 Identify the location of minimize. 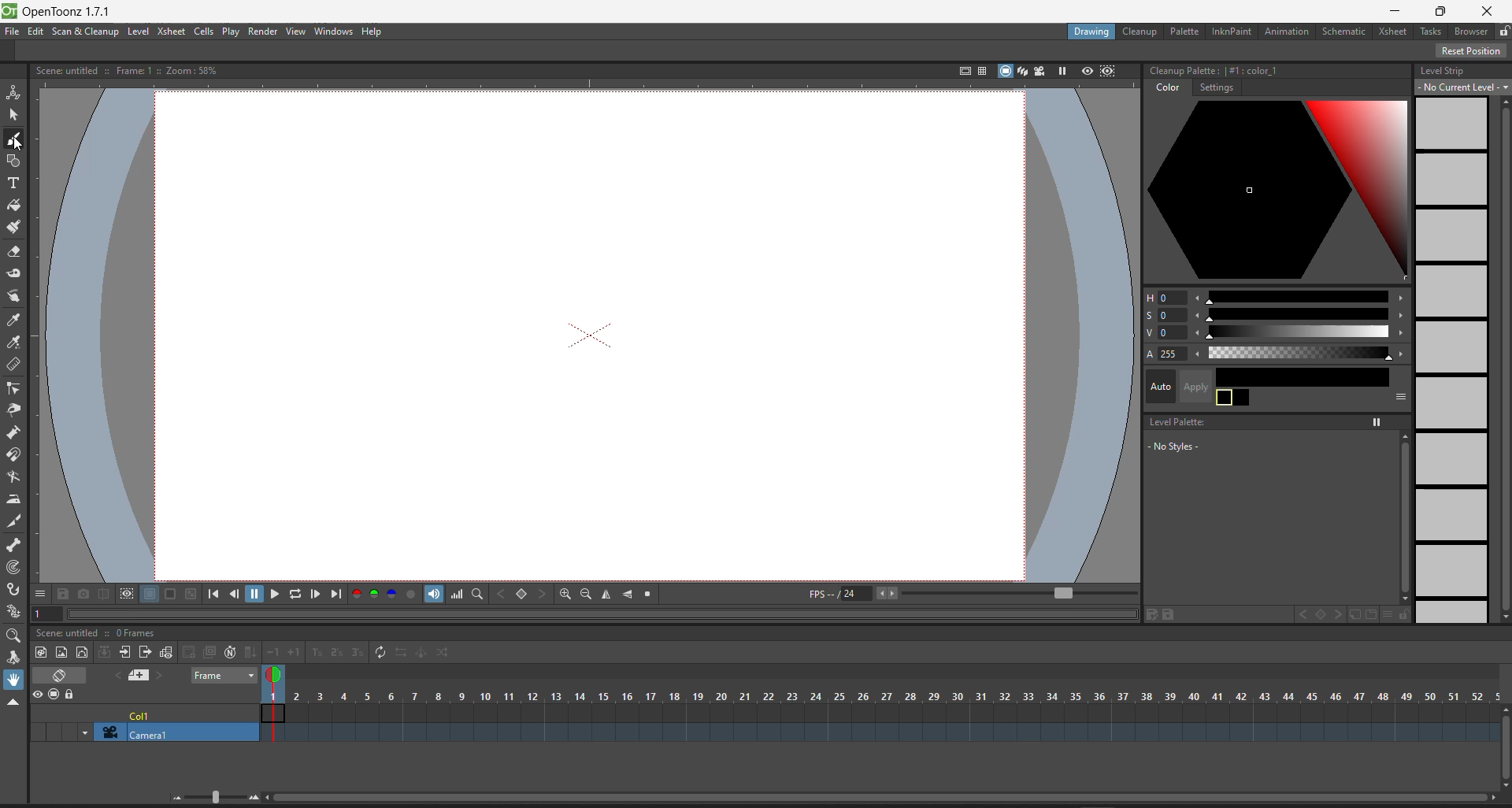
(1399, 9).